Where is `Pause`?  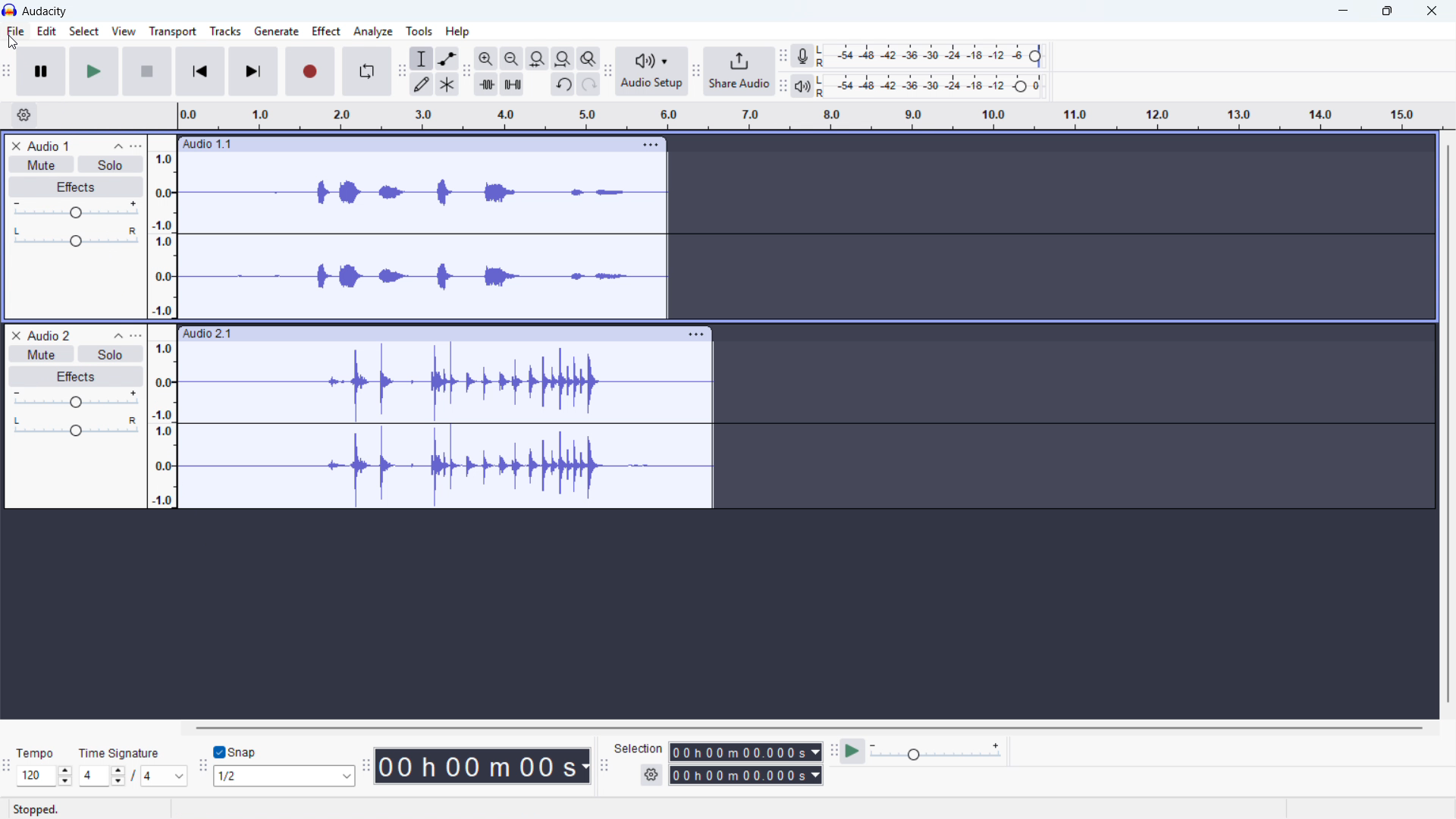
Pause is located at coordinates (41, 71).